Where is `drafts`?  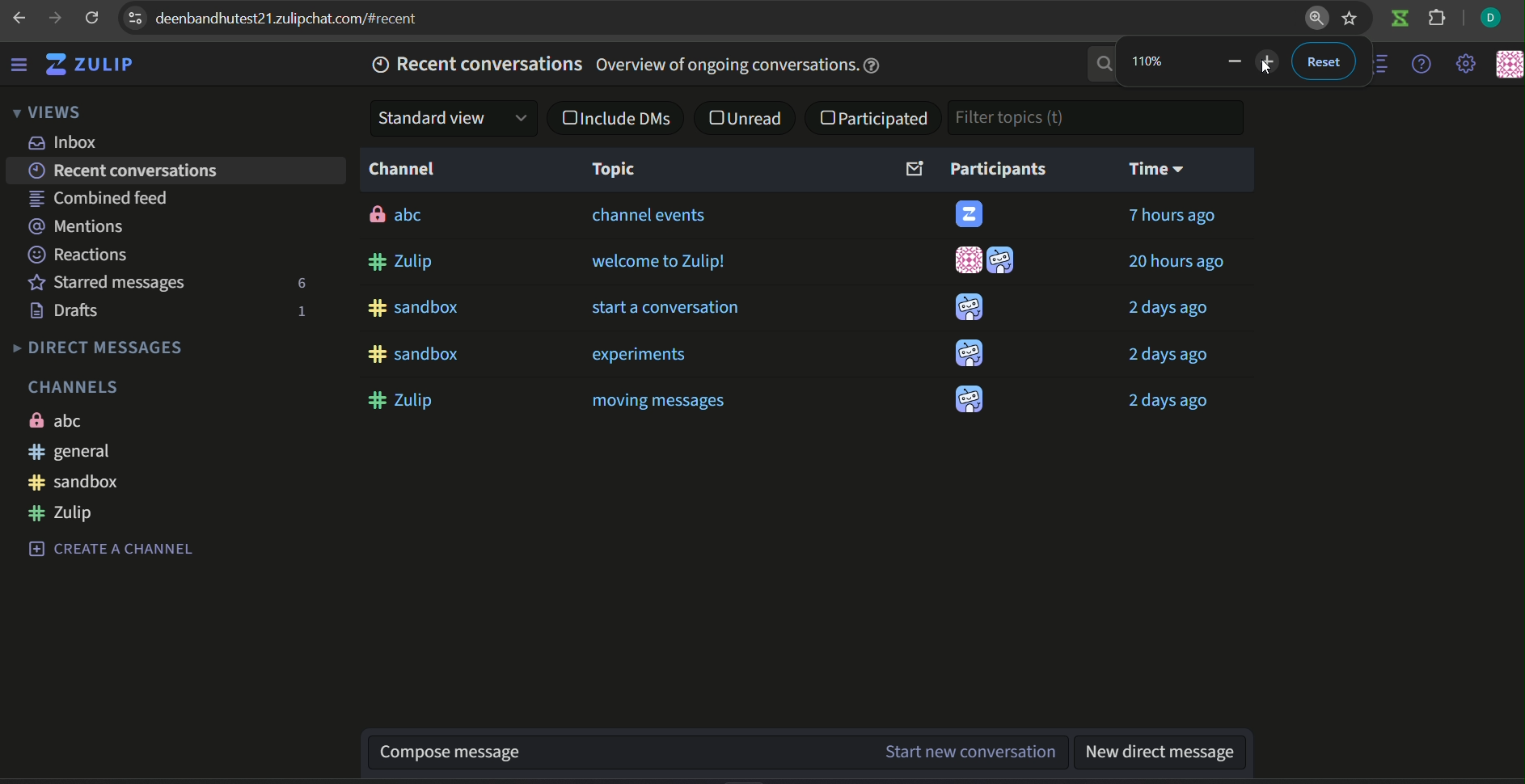 drafts is located at coordinates (68, 311).